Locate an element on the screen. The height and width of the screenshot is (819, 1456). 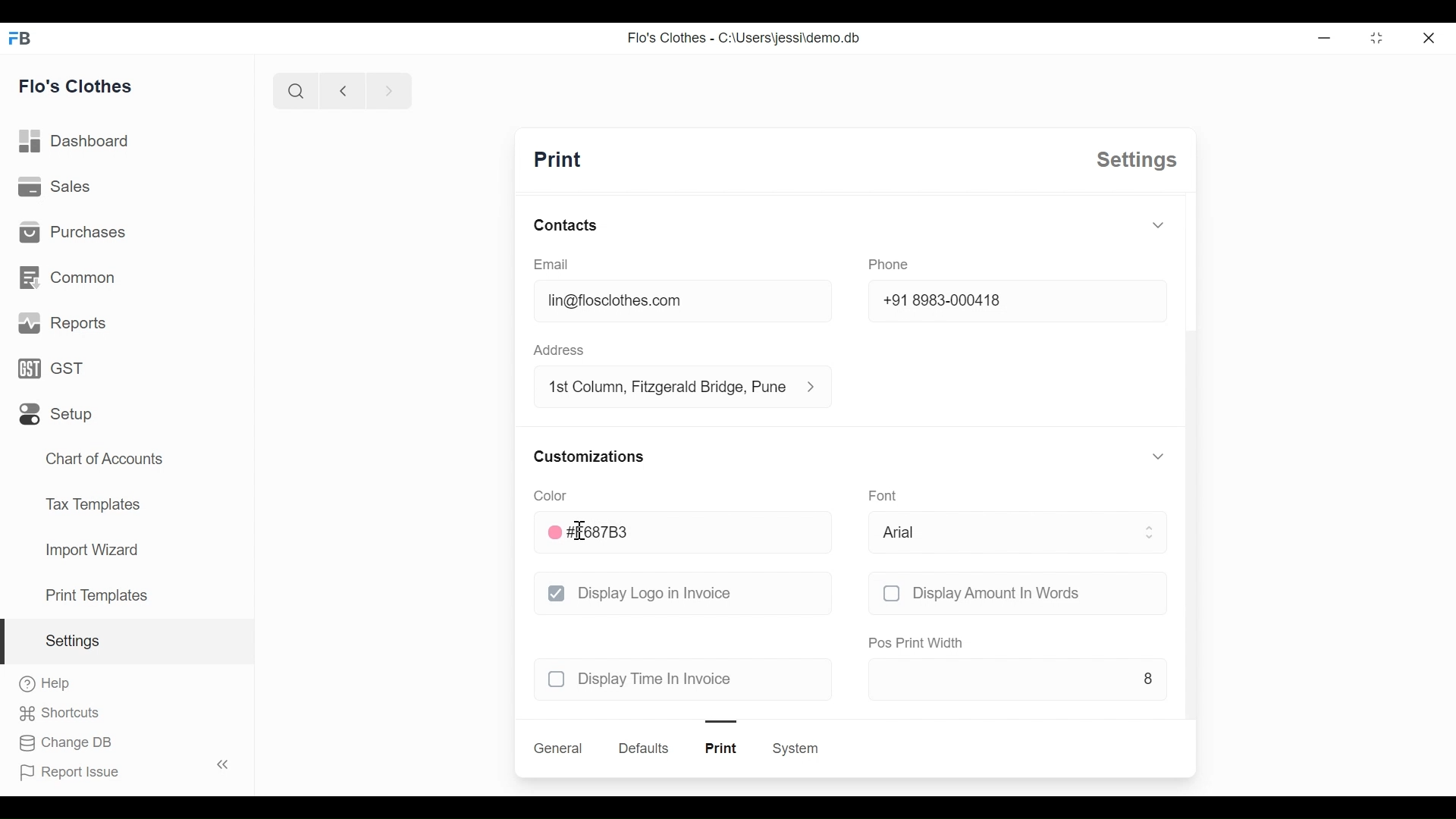
toggle between form and full width is located at coordinates (1377, 38).